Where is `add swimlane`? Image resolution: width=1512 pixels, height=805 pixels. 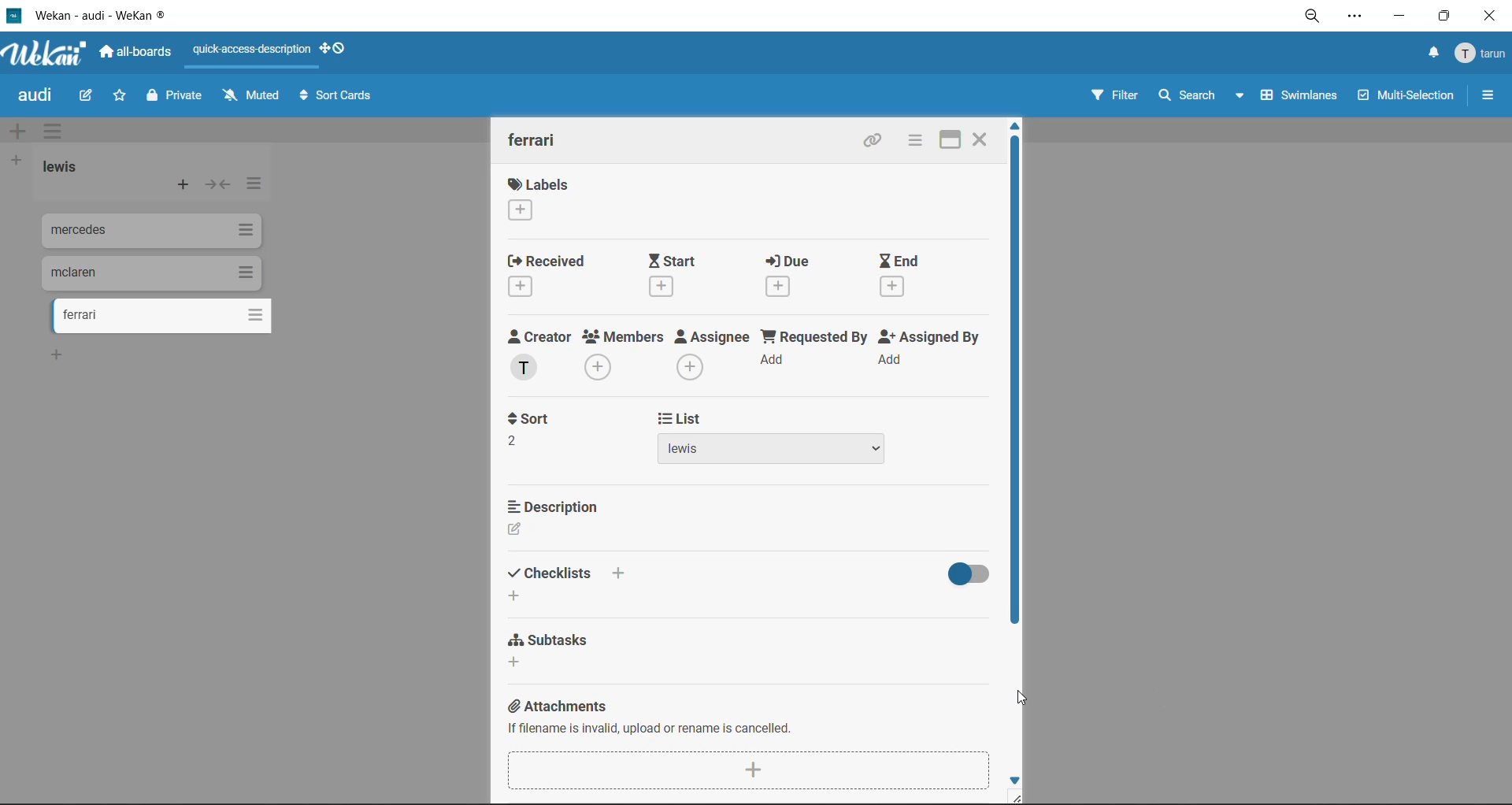 add swimlane is located at coordinates (17, 133).